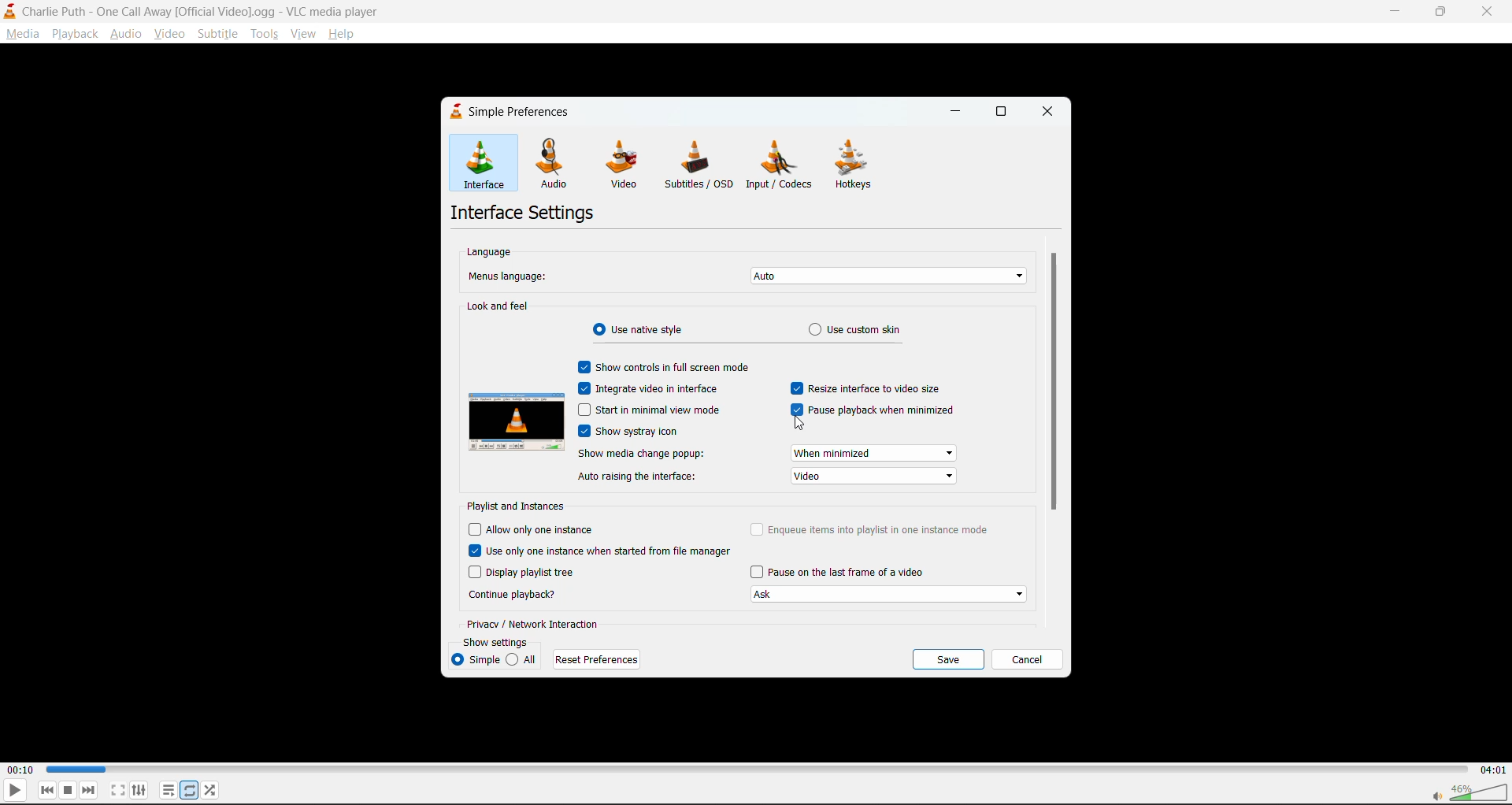 Image resolution: width=1512 pixels, height=805 pixels. What do you see at coordinates (667, 387) in the screenshot?
I see `integrate video in interface` at bounding box center [667, 387].